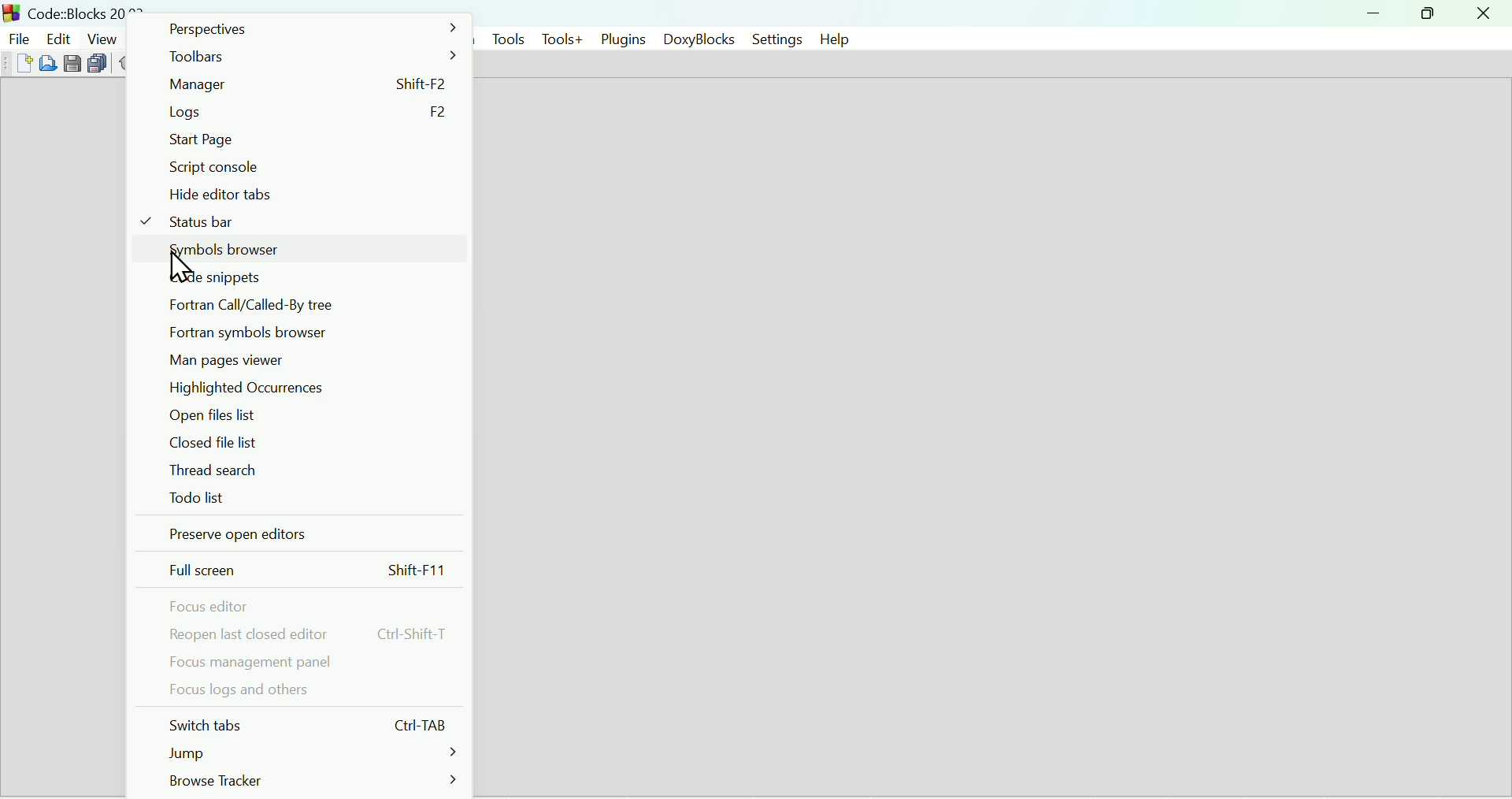 The height and width of the screenshot is (799, 1512). What do you see at coordinates (306, 570) in the screenshot?
I see `Full screen` at bounding box center [306, 570].